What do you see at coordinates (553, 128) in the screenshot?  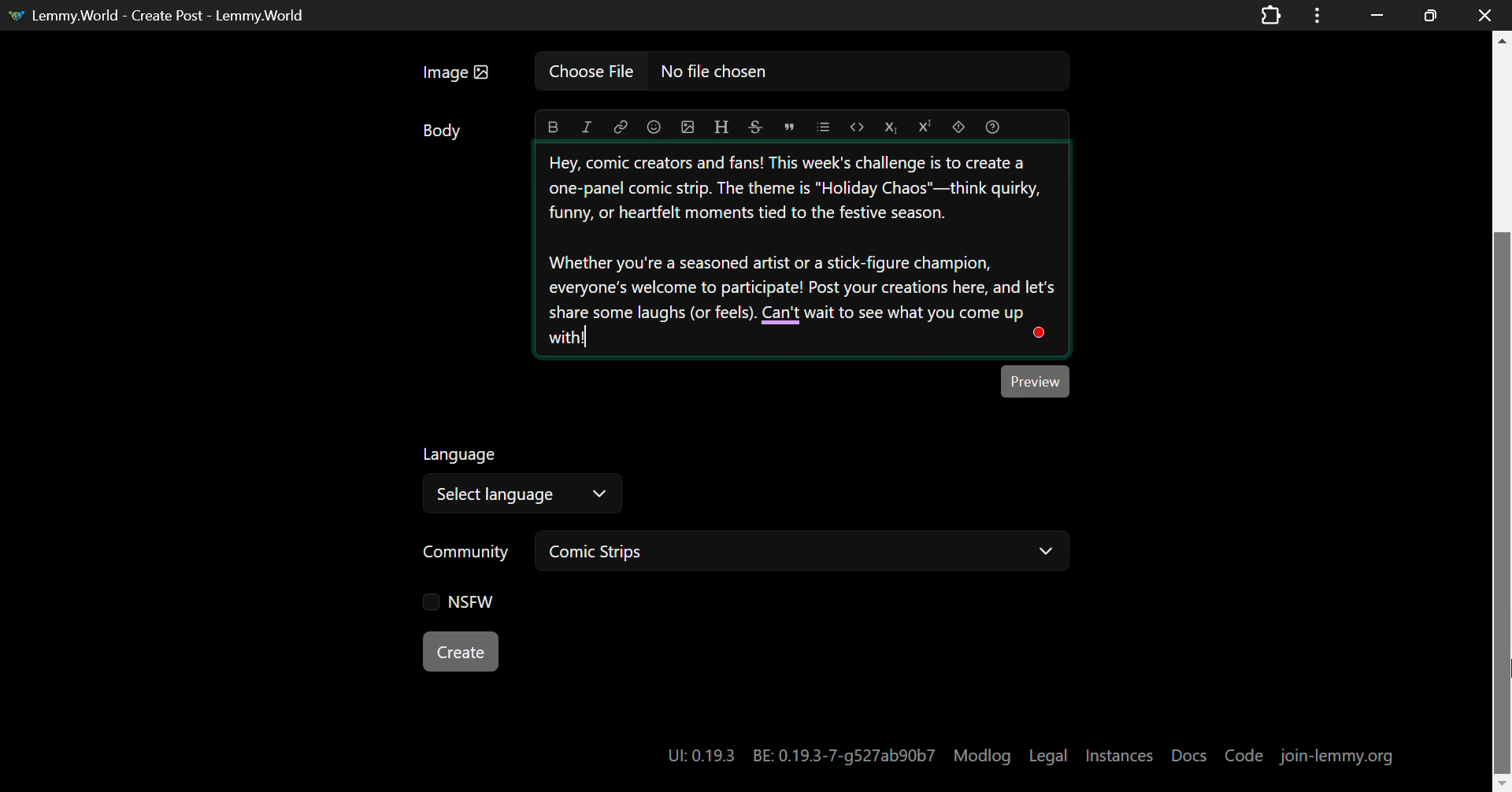 I see `bold` at bounding box center [553, 128].